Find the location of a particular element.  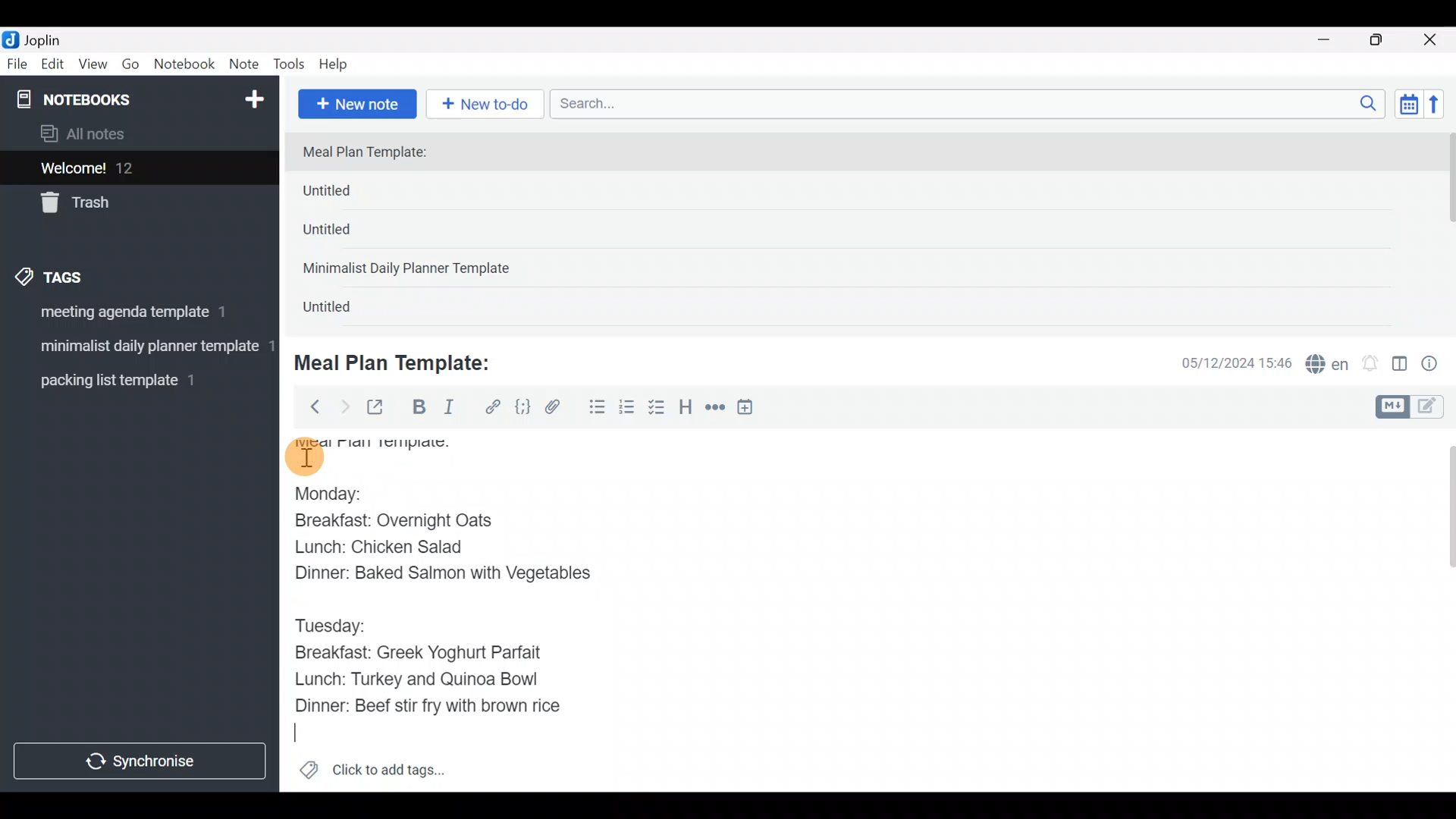

All notes is located at coordinates (136, 135).